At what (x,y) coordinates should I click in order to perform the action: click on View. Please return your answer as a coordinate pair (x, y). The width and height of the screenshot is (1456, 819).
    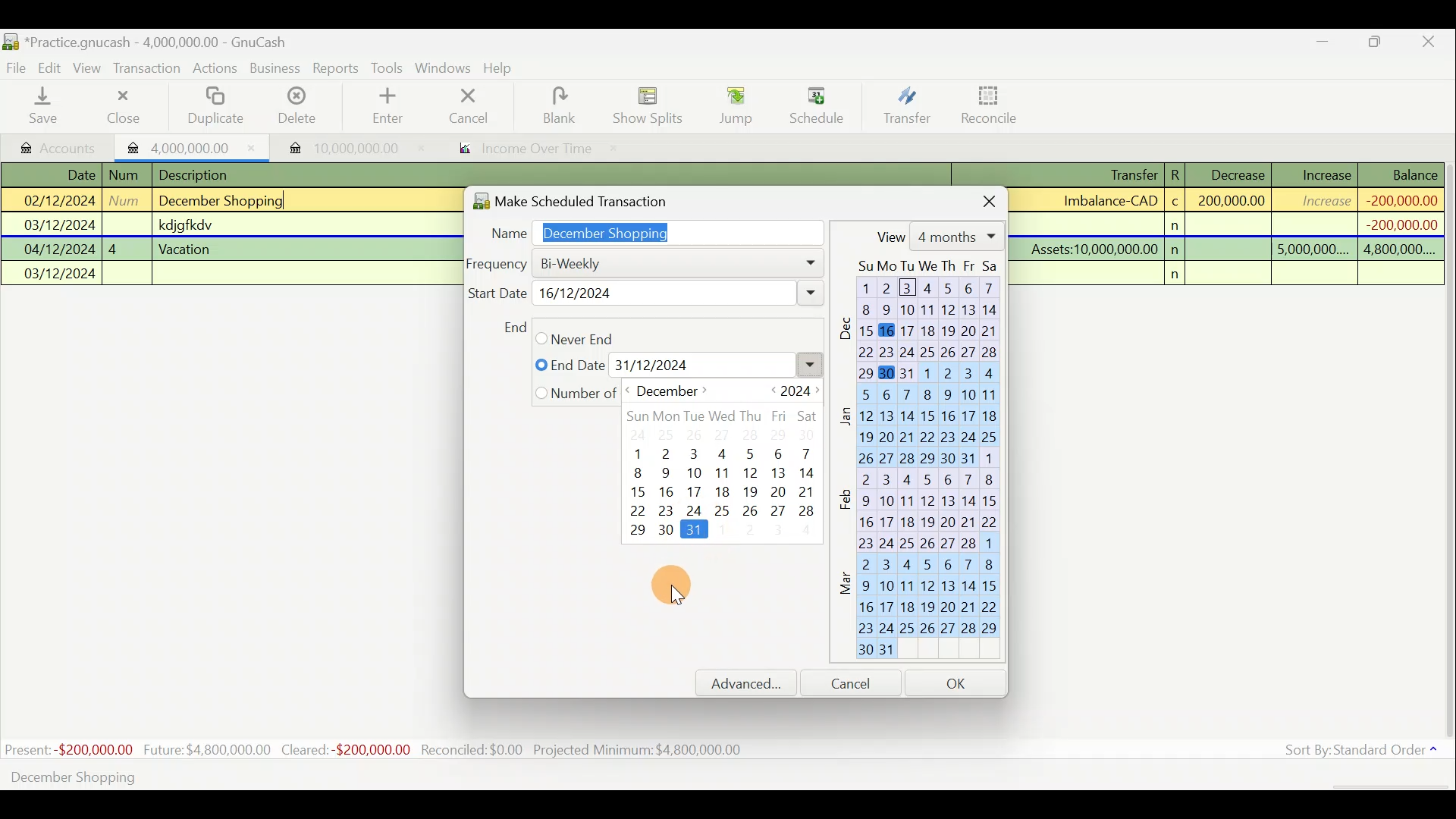
    Looking at the image, I should click on (937, 236).